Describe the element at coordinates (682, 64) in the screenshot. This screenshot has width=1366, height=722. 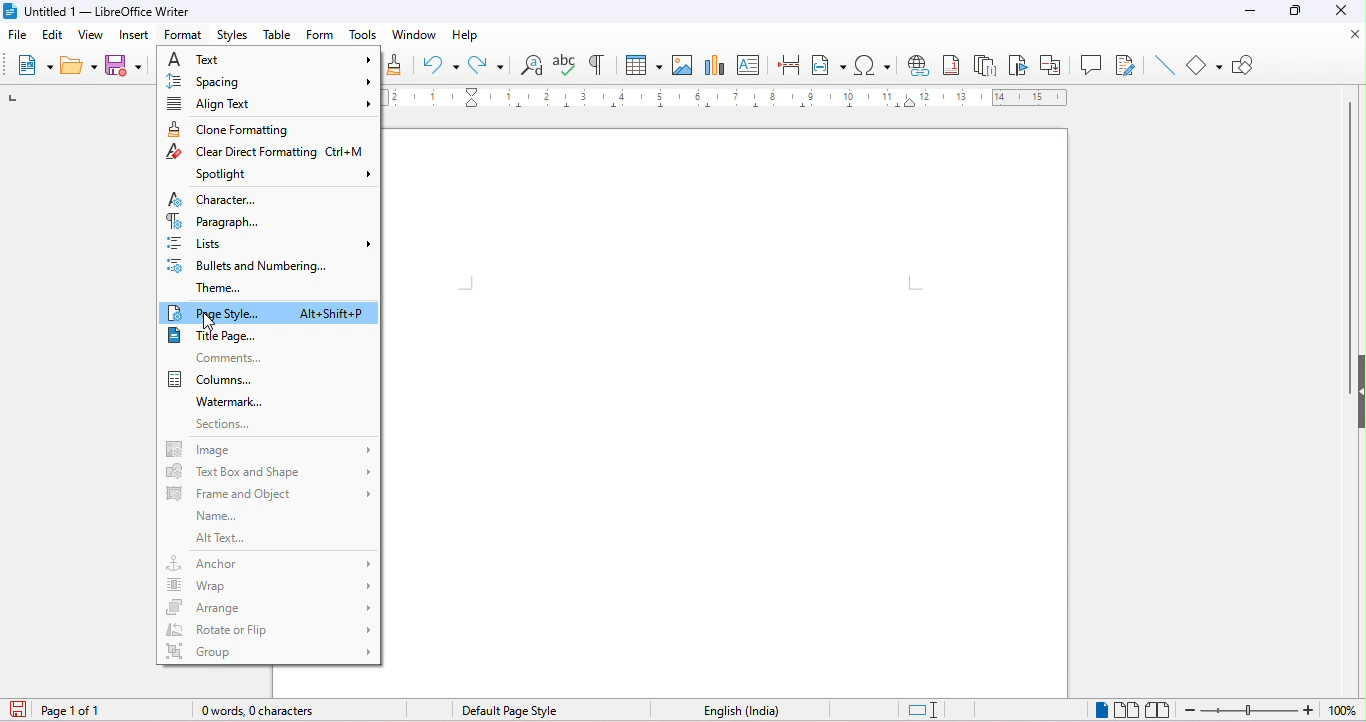
I see `insert image` at that location.